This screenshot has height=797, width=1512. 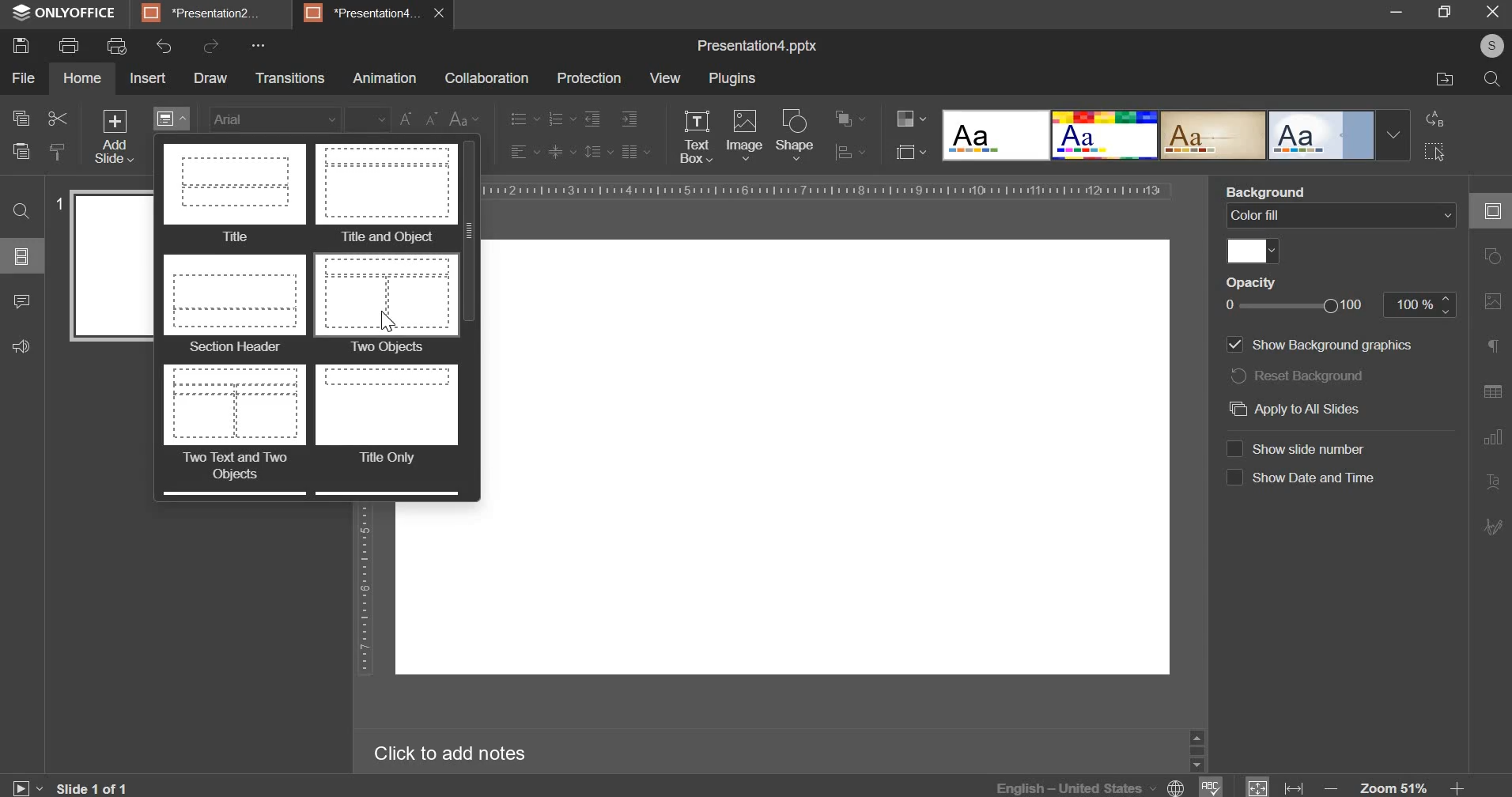 What do you see at coordinates (1492, 11) in the screenshot?
I see `close` at bounding box center [1492, 11].